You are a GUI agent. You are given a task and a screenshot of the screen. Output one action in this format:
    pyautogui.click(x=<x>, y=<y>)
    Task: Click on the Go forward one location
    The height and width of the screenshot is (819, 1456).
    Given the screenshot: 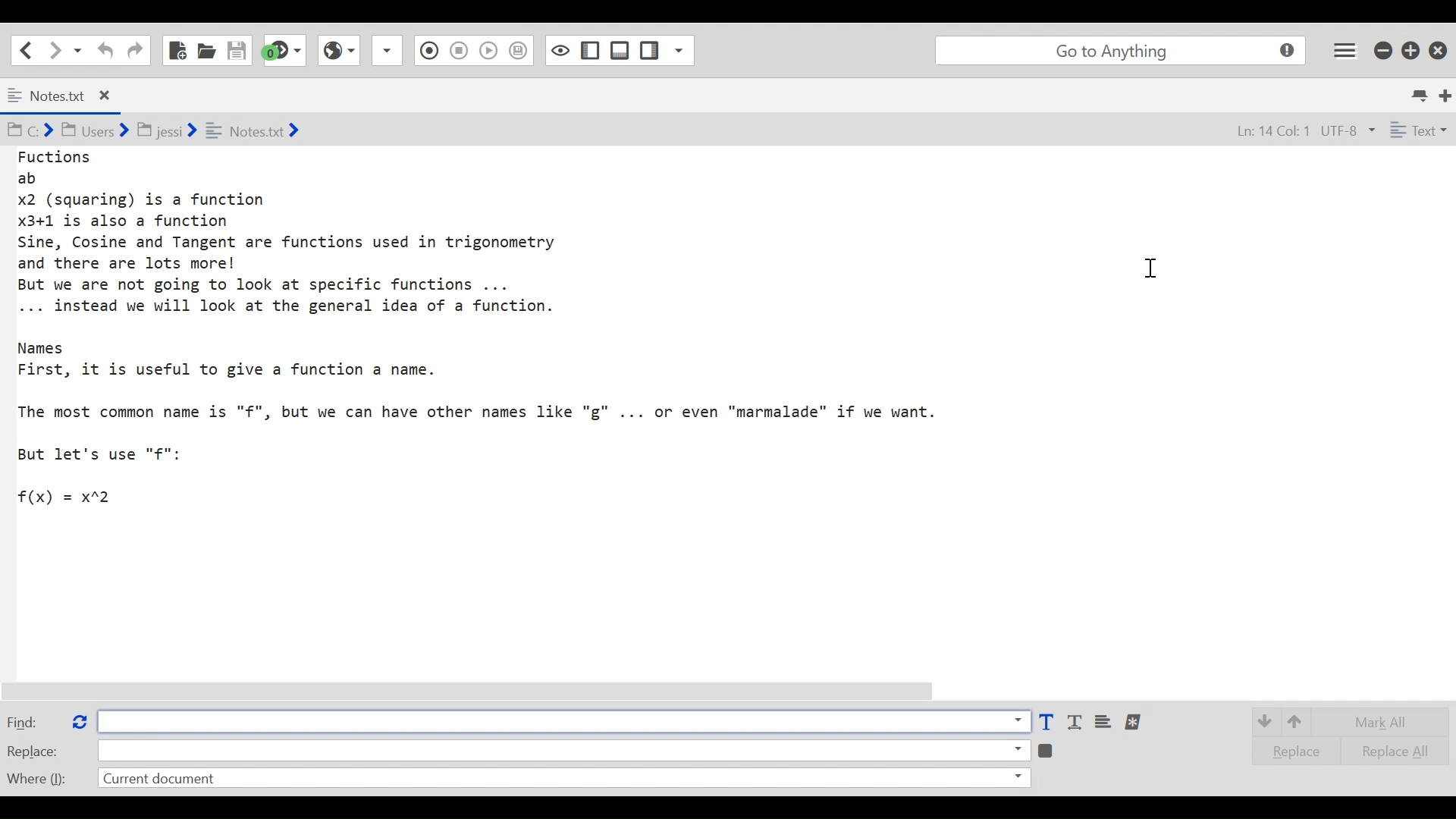 What is the action you would take?
    pyautogui.click(x=56, y=49)
    